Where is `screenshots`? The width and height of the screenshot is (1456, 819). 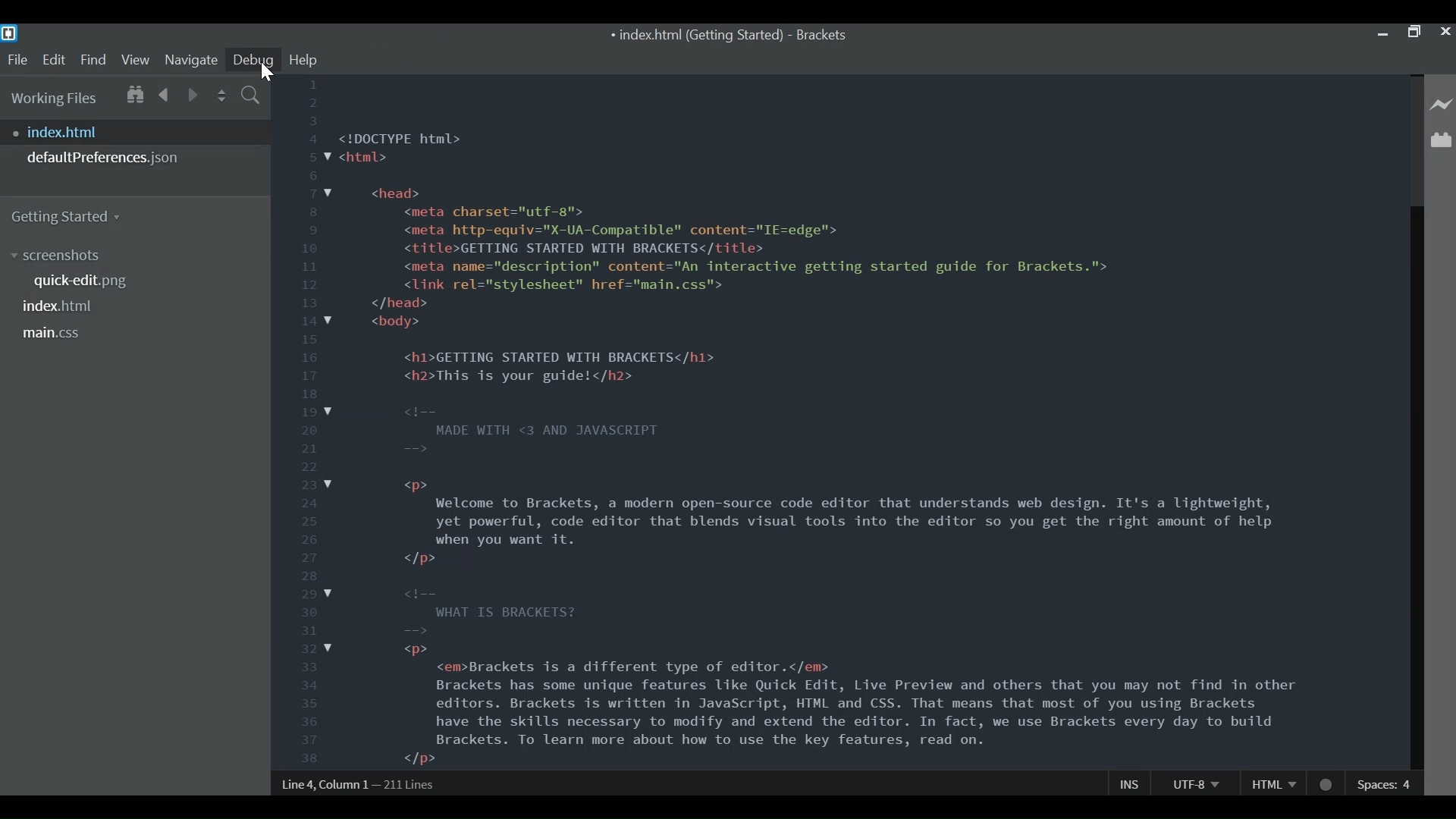
screenshots is located at coordinates (60, 256).